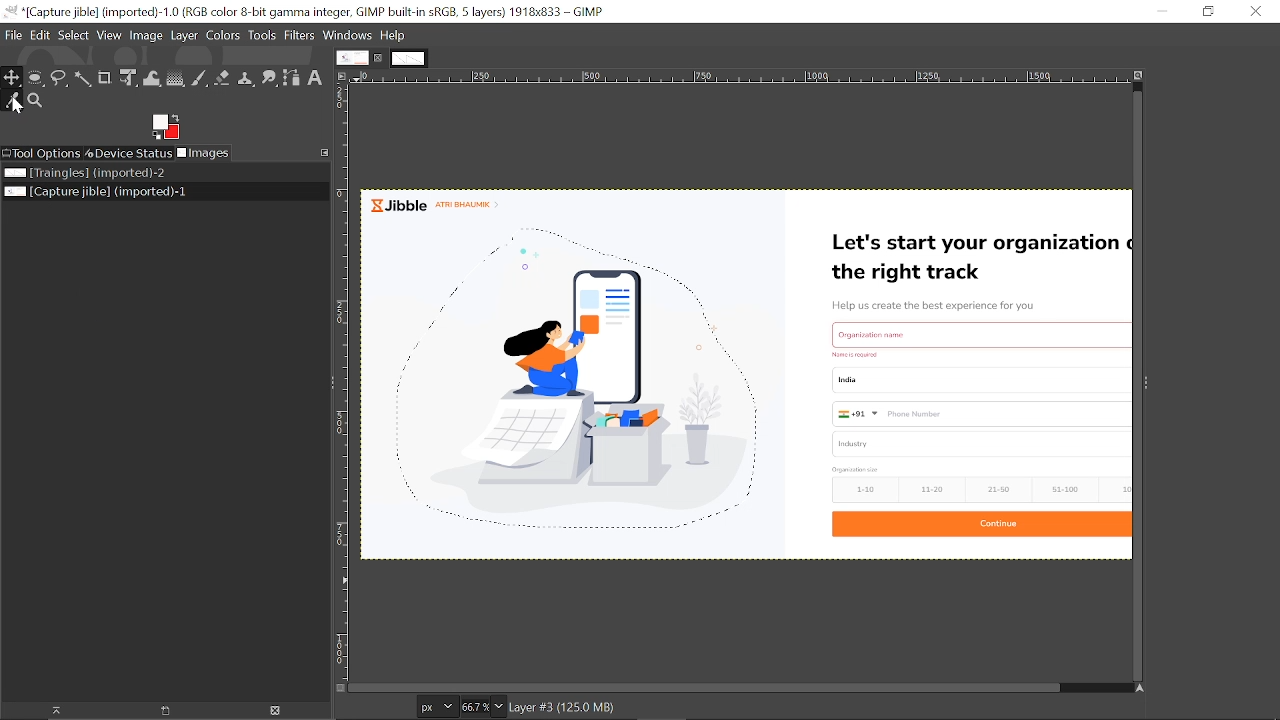  What do you see at coordinates (299, 36) in the screenshot?
I see `Filters` at bounding box center [299, 36].